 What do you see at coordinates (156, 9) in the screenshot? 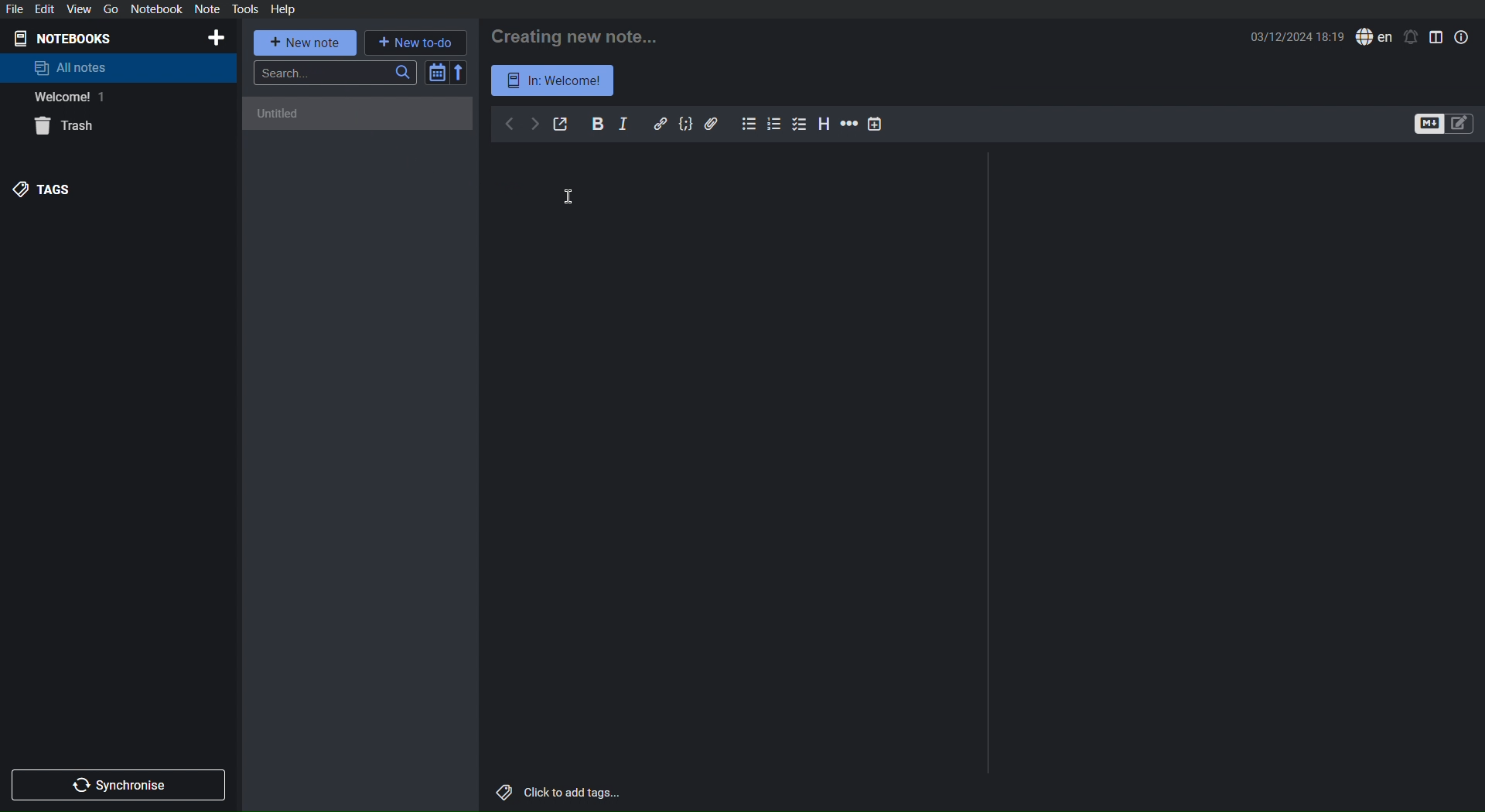
I see `Notebook` at bounding box center [156, 9].